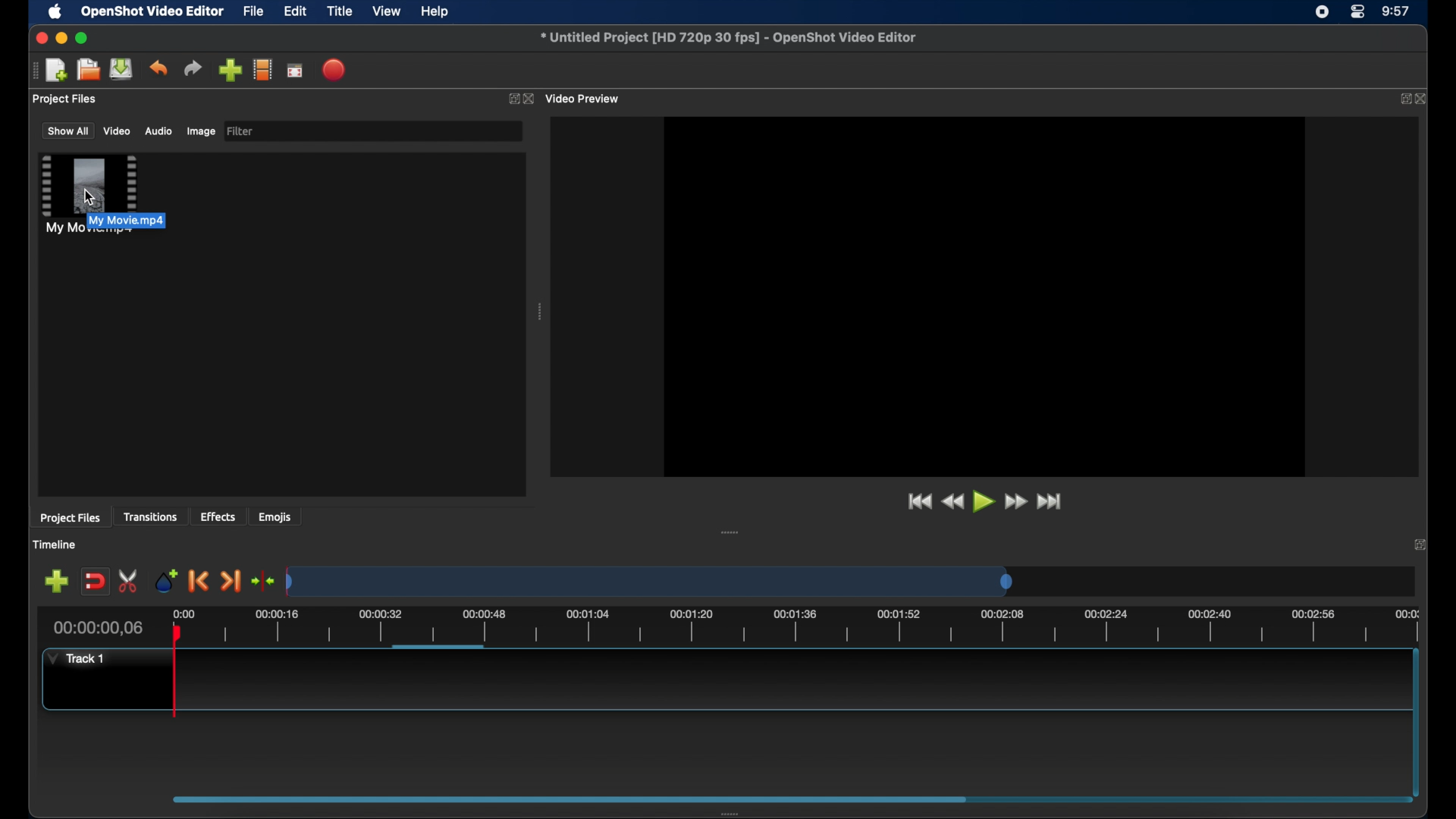 The width and height of the screenshot is (1456, 819). Describe the element at coordinates (158, 68) in the screenshot. I see `undo` at that location.